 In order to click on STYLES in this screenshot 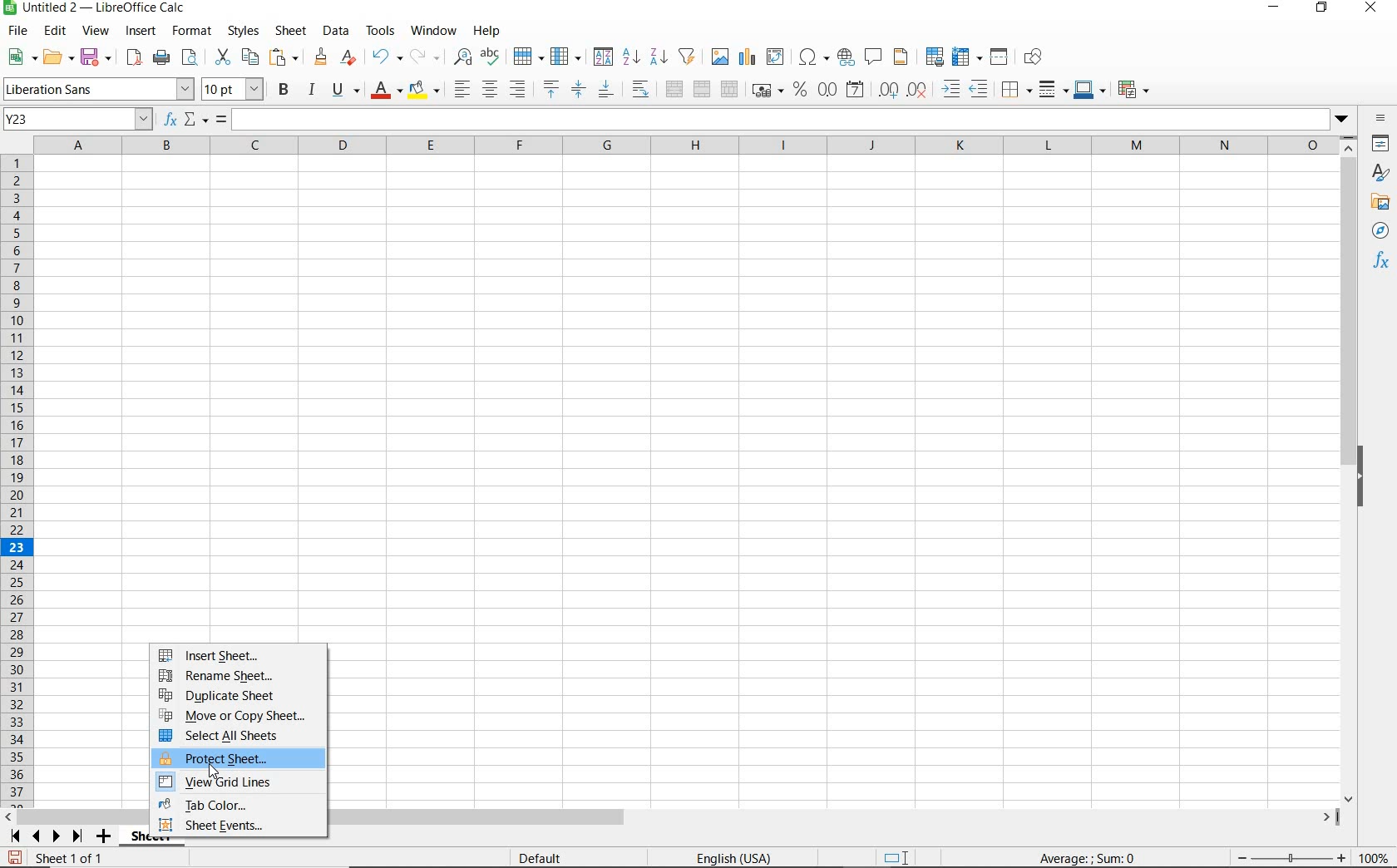, I will do `click(243, 31)`.